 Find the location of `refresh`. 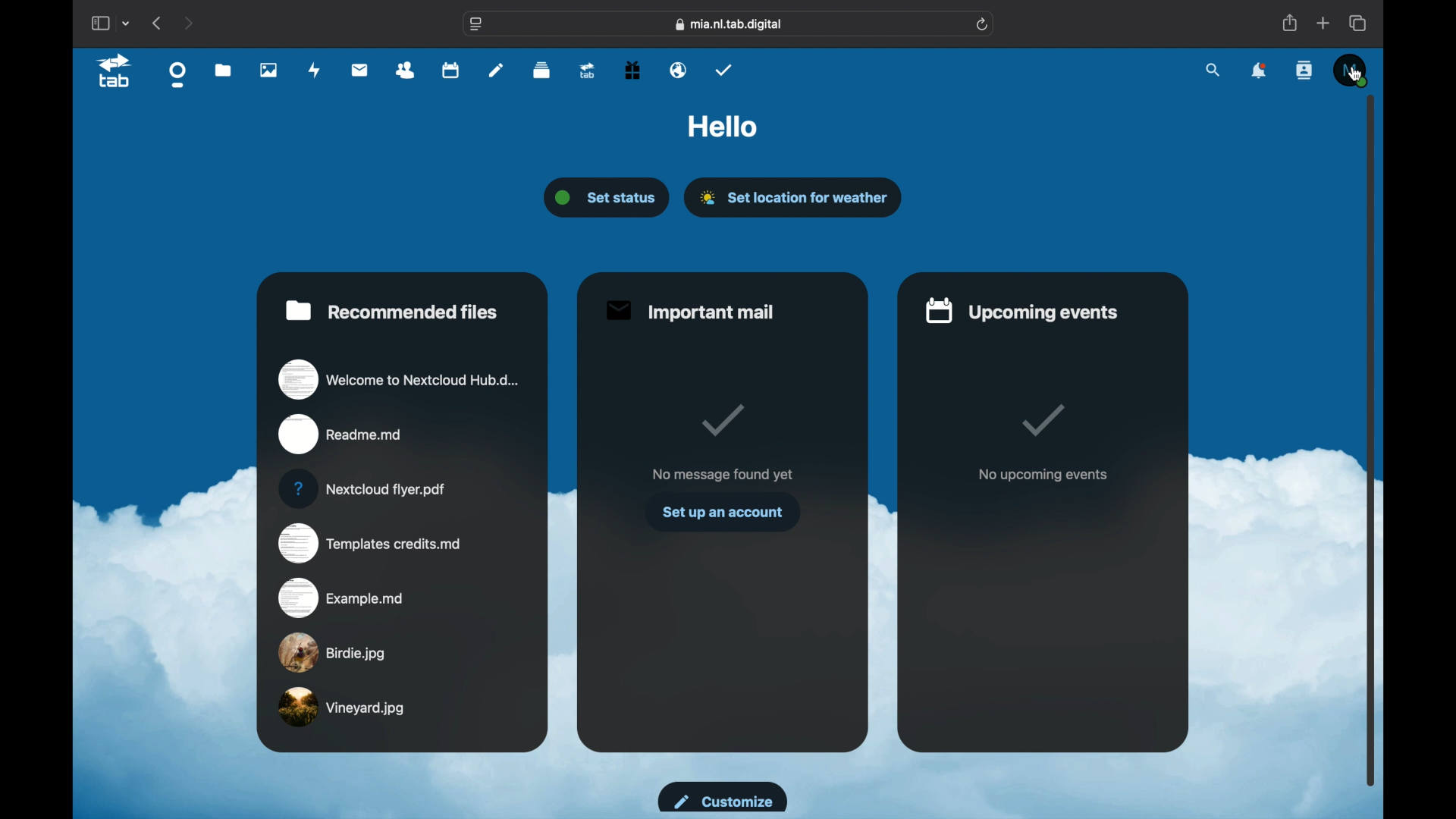

refresh is located at coordinates (983, 25).